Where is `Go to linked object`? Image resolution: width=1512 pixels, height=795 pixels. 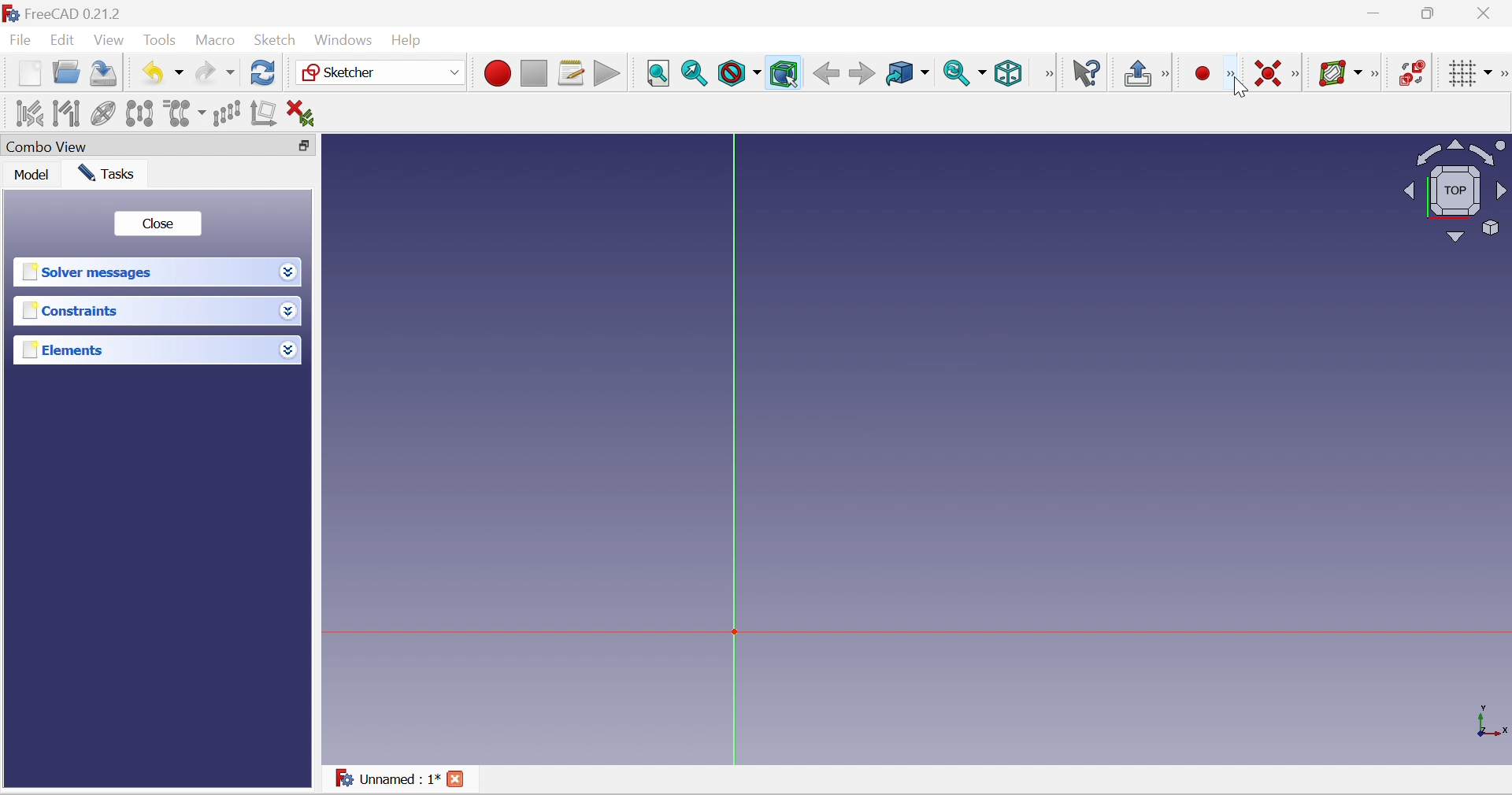 Go to linked object is located at coordinates (908, 74).